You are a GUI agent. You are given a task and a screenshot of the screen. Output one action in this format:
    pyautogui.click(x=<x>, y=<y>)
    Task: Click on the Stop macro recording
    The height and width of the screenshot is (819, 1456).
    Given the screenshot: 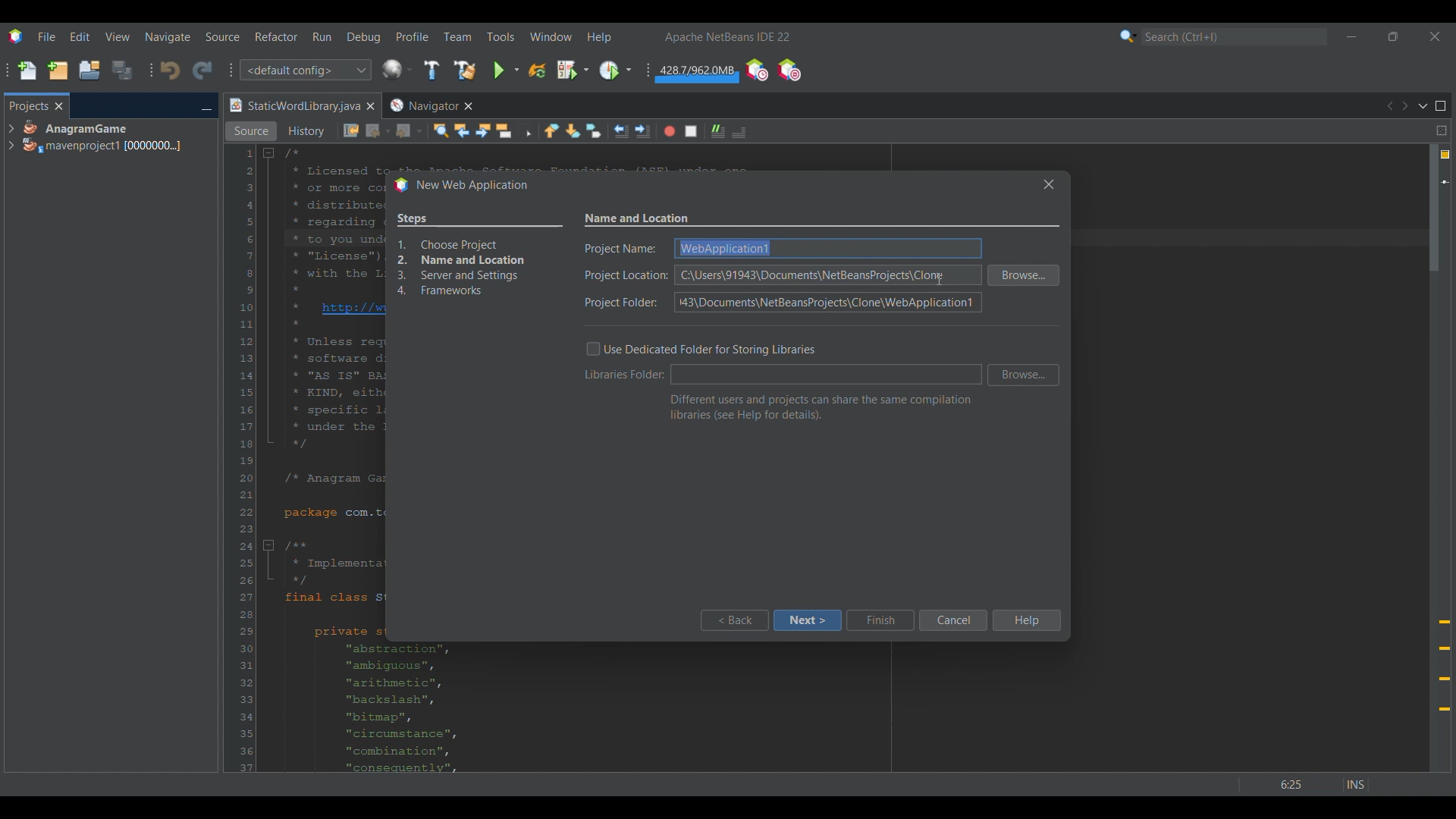 What is the action you would take?
    pyautogui.click(x=691, y=131)
    